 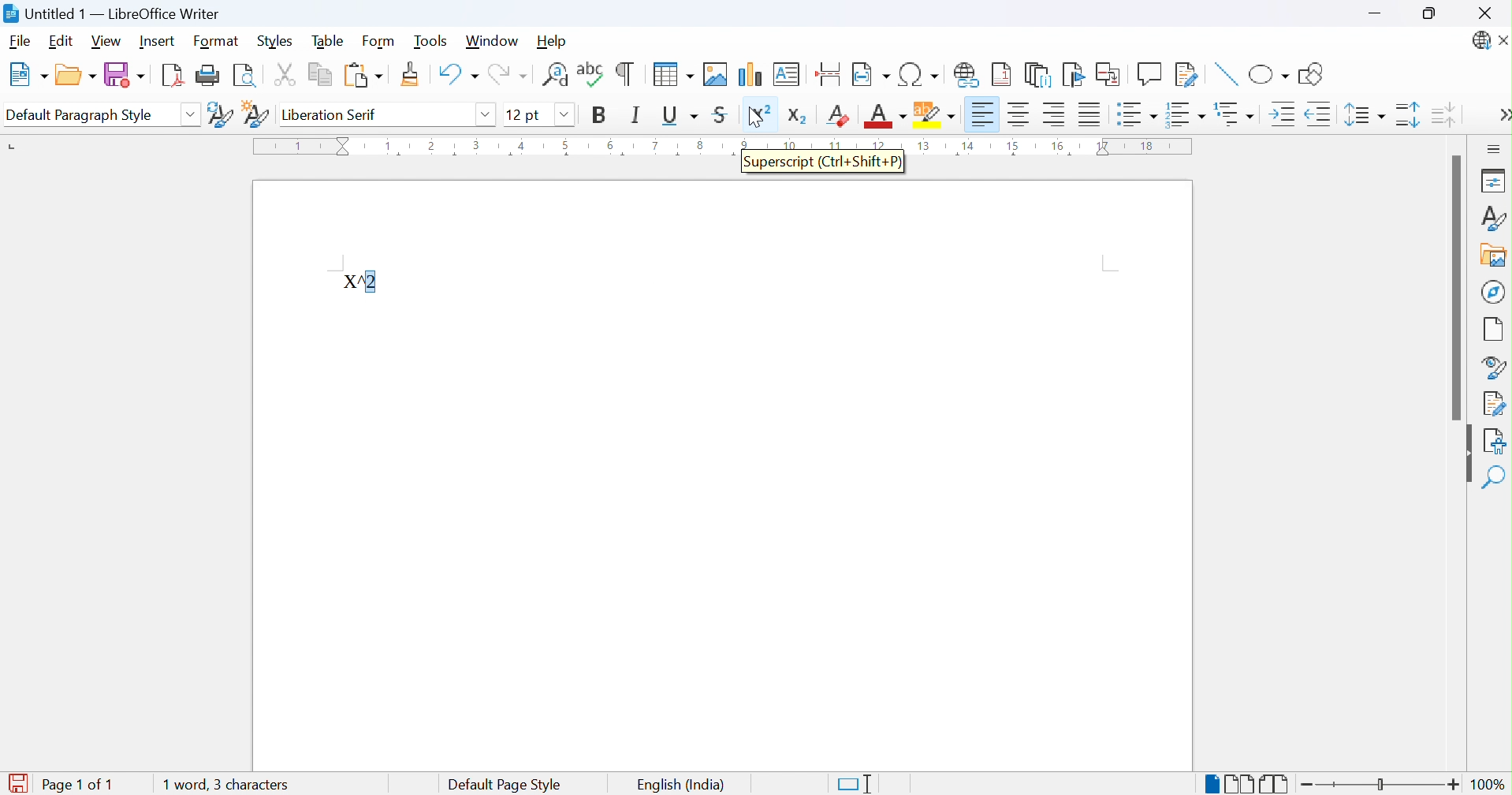 I want to click on Superscript (Ctrl+Shift+P), so click(x=826, y=167).